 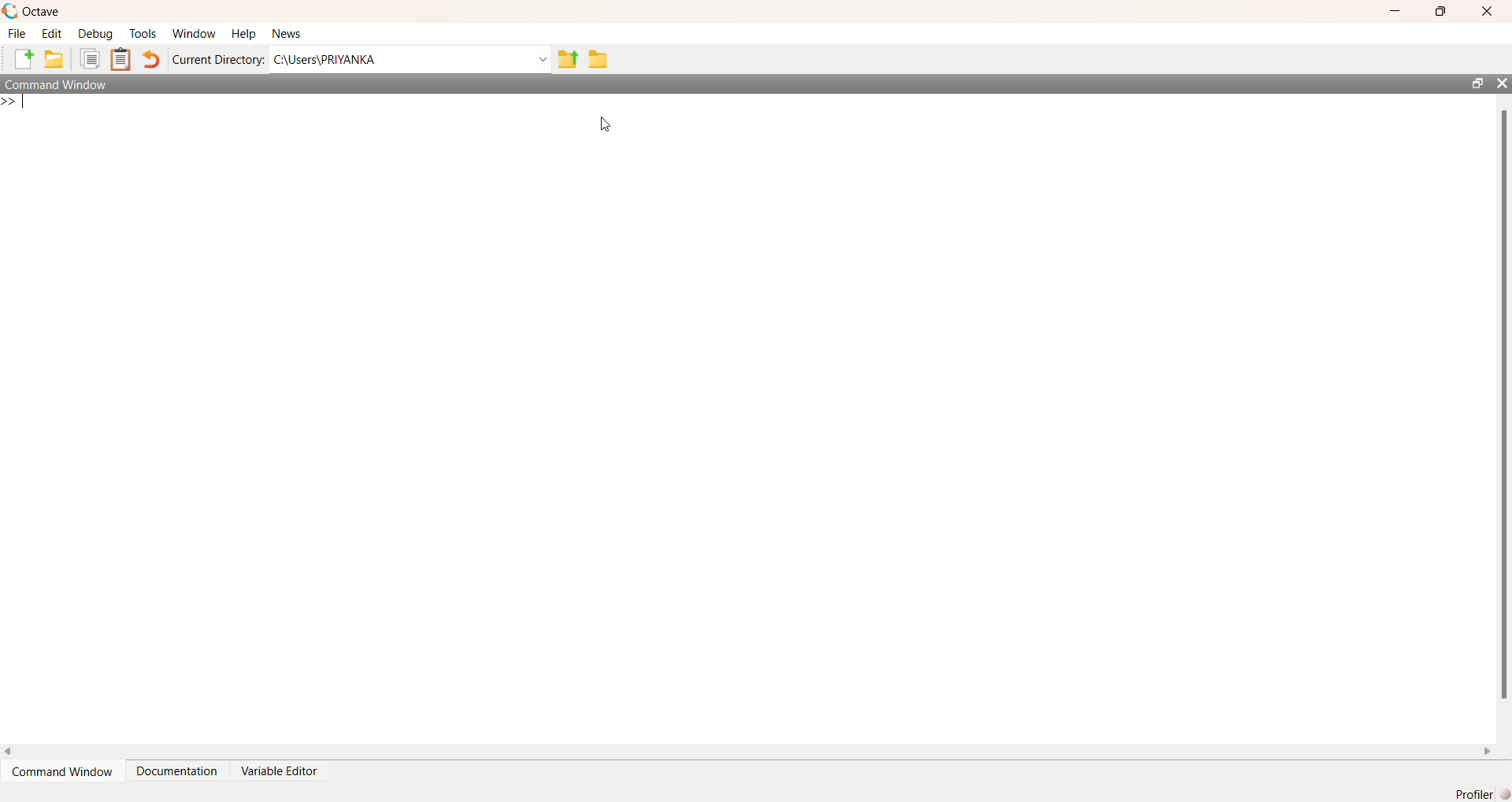 What do you see at coordinates (176, 771) in the screenshot?
I see `Documentation` at bounding box center [176, 771].